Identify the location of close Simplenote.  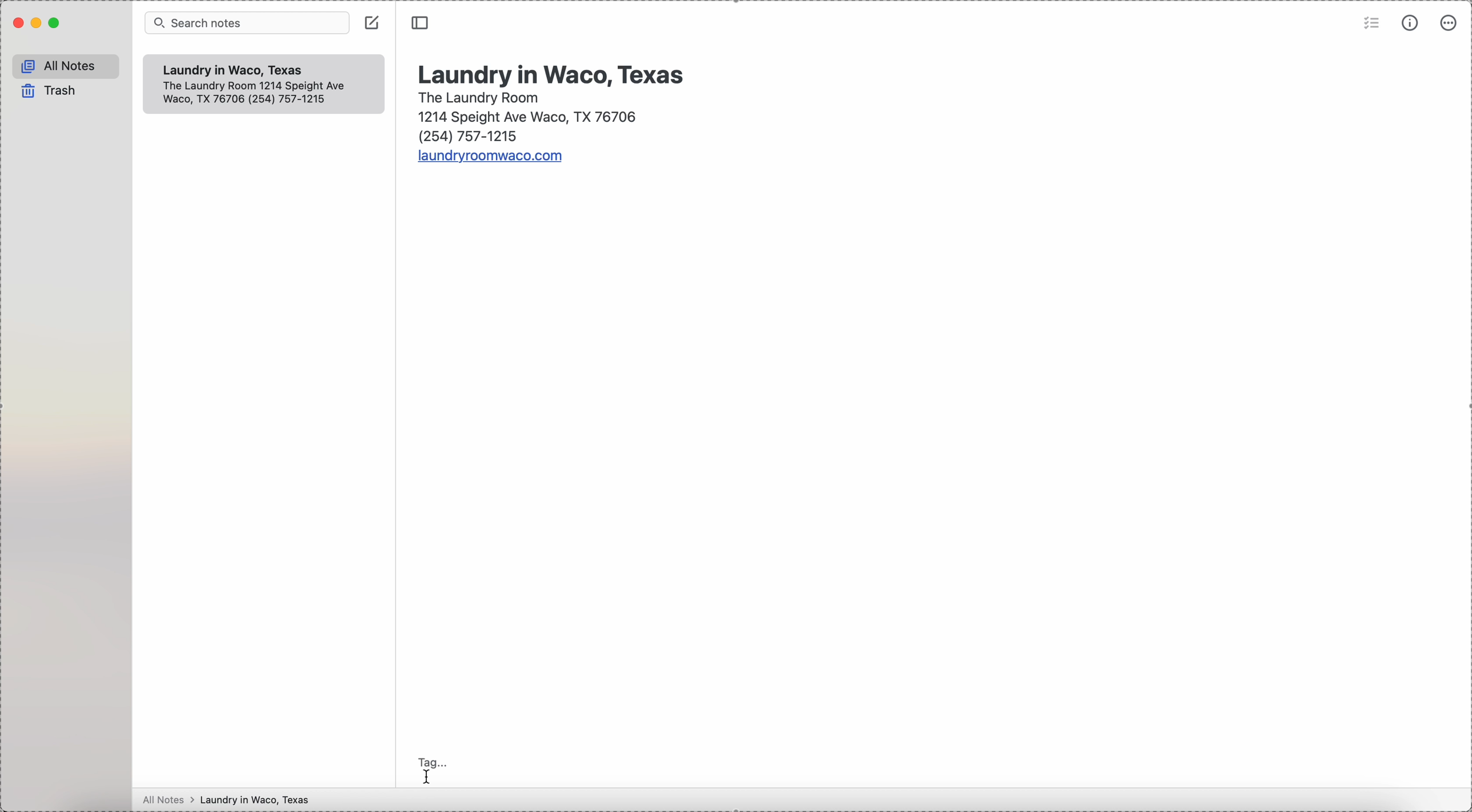
(14, 23).